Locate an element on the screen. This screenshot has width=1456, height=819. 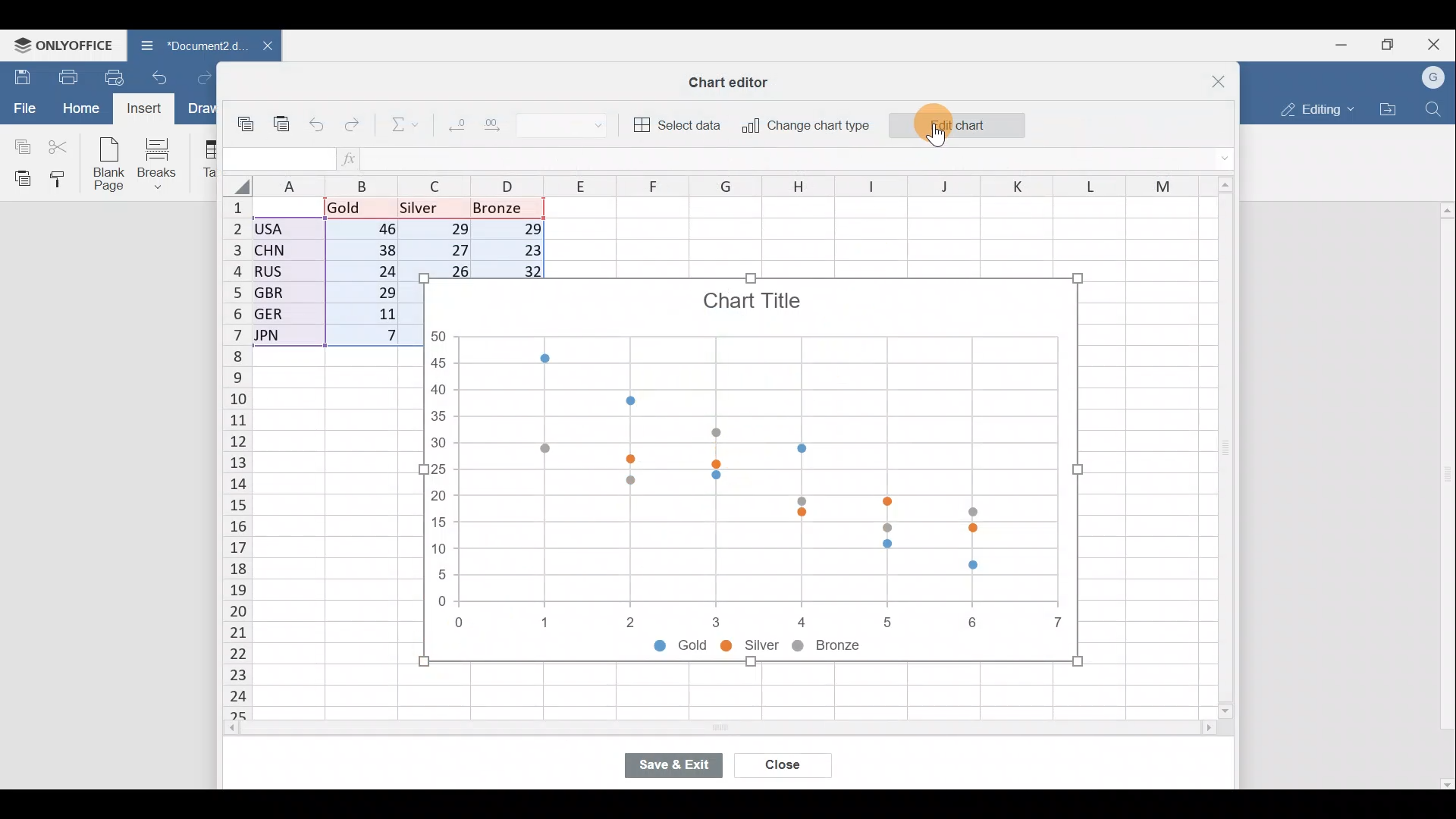
Close is located at coordinates (1436, 42).